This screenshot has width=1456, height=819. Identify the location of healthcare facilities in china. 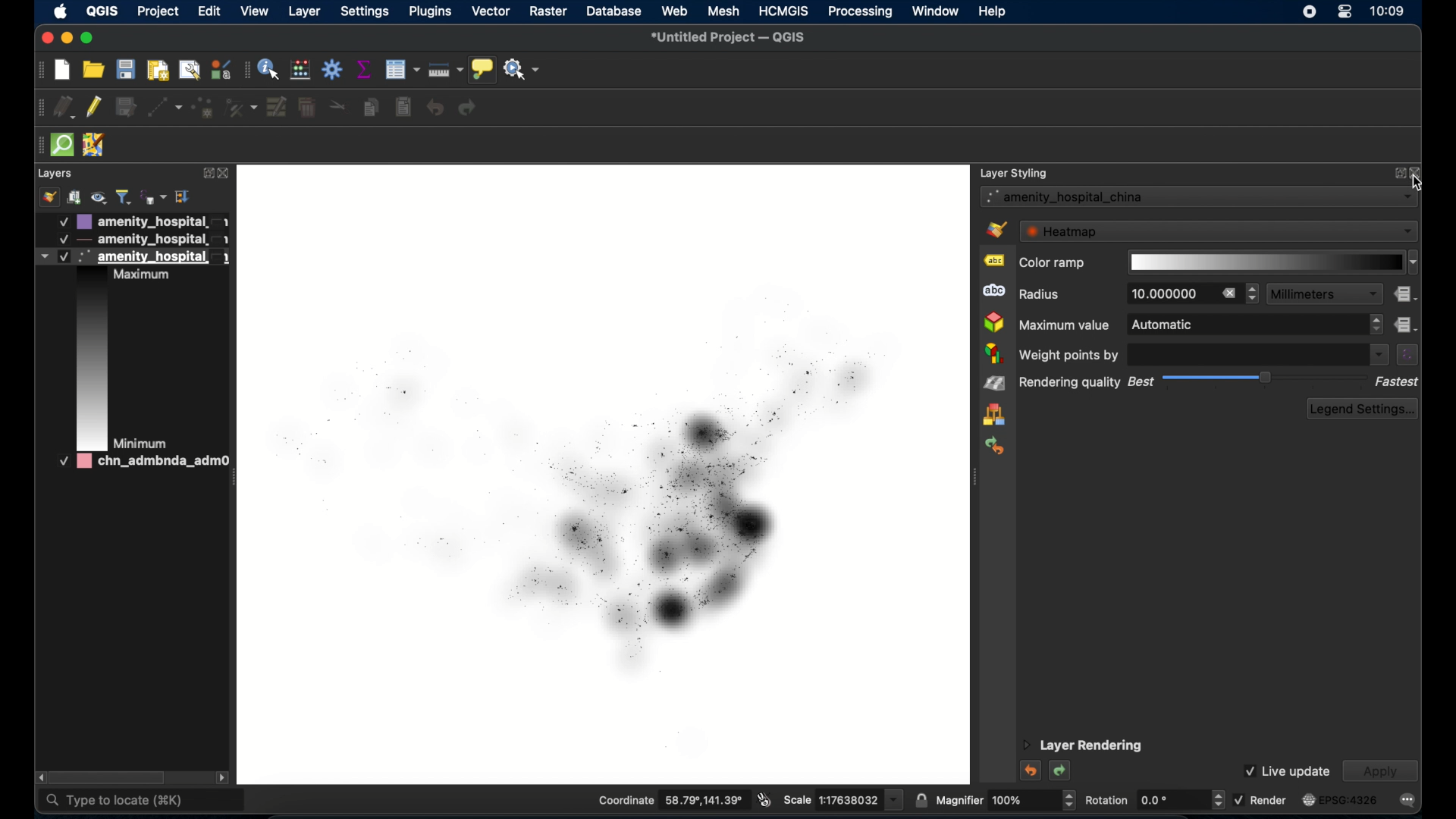
(602, 473).